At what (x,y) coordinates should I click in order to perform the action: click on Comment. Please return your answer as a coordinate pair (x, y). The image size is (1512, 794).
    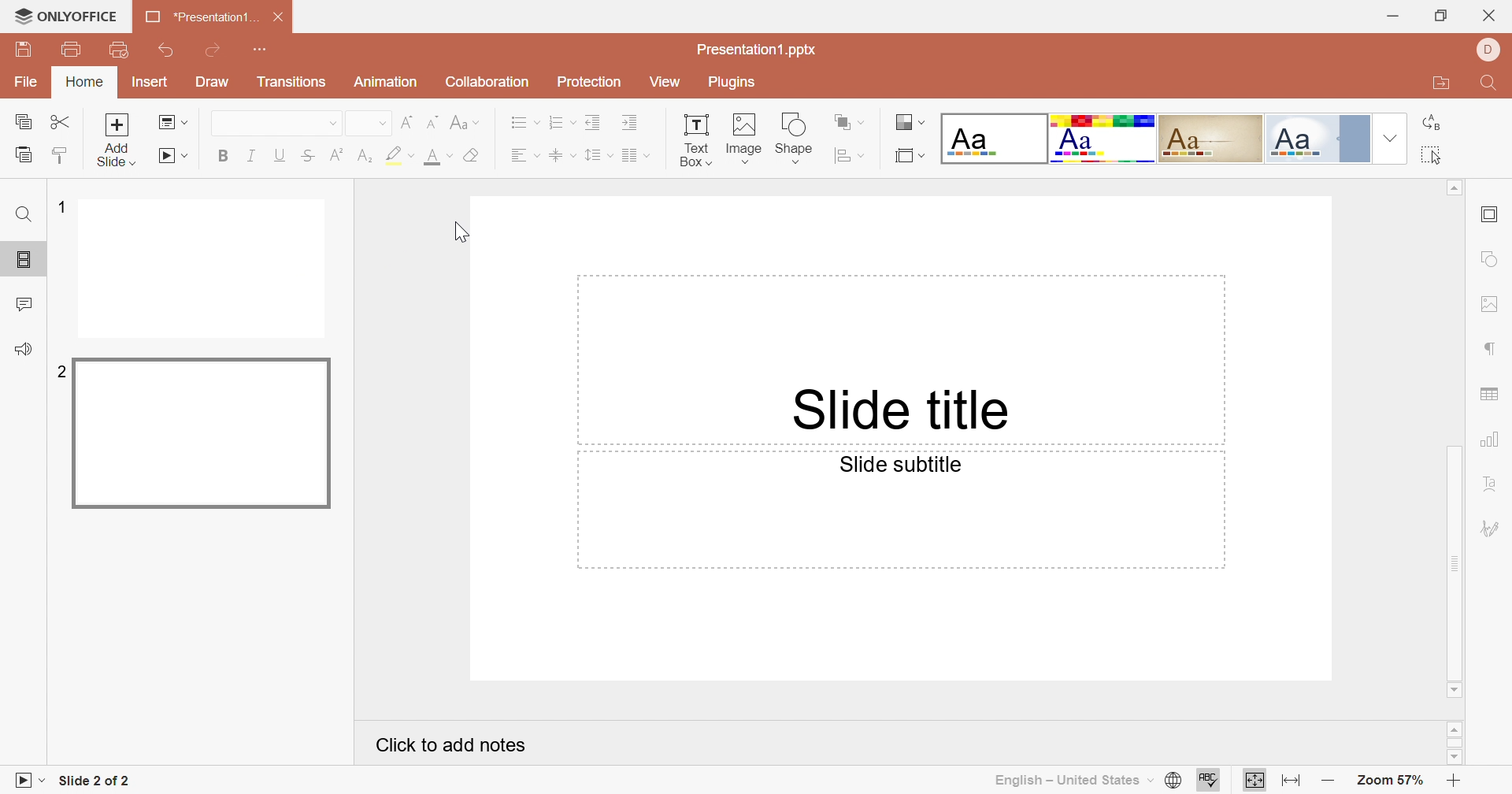
    Looking at the image, I should click on (23, 303).